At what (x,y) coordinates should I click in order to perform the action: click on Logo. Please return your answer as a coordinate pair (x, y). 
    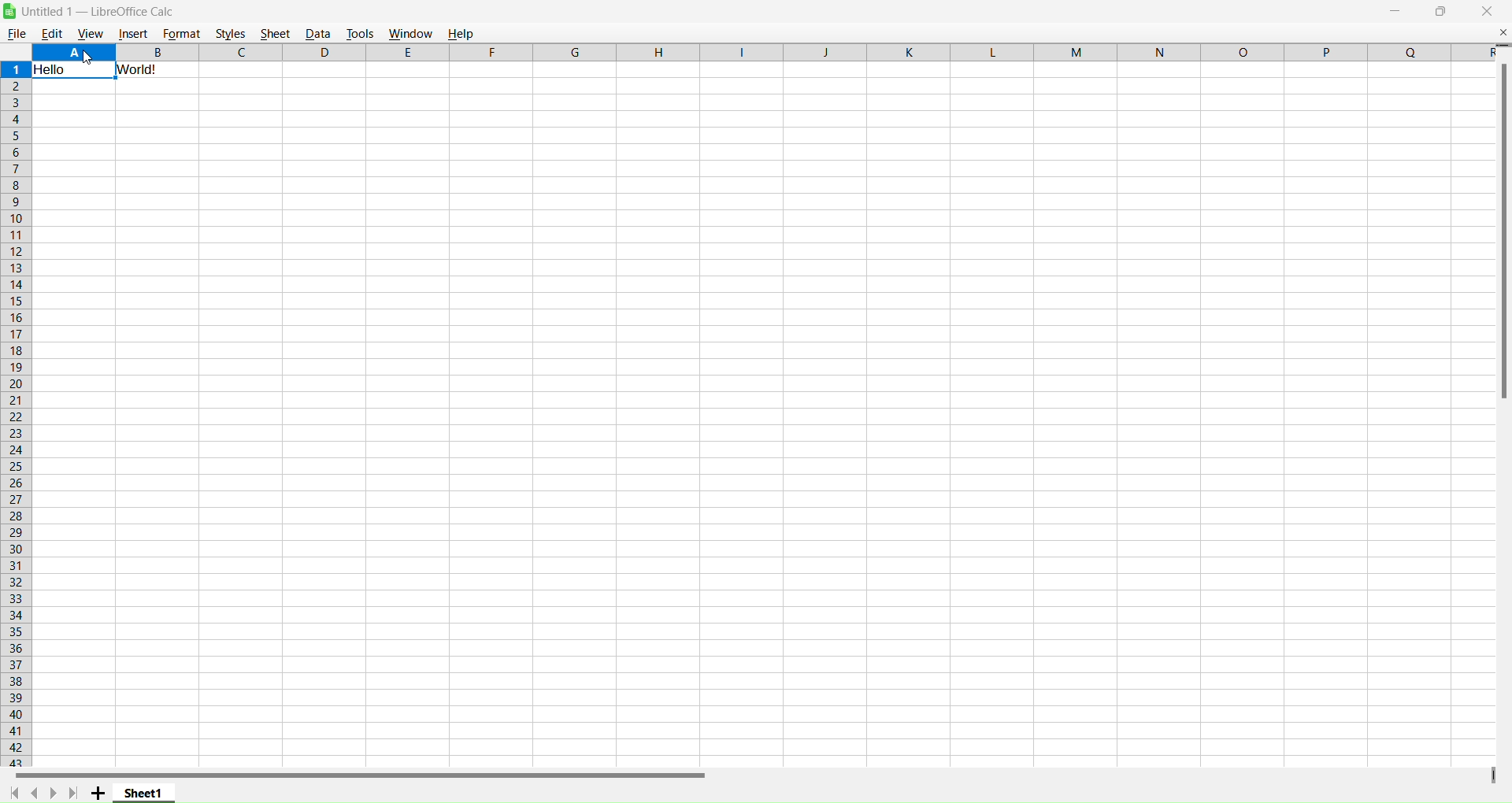
    Looking at the image, I should click on (9, 11).